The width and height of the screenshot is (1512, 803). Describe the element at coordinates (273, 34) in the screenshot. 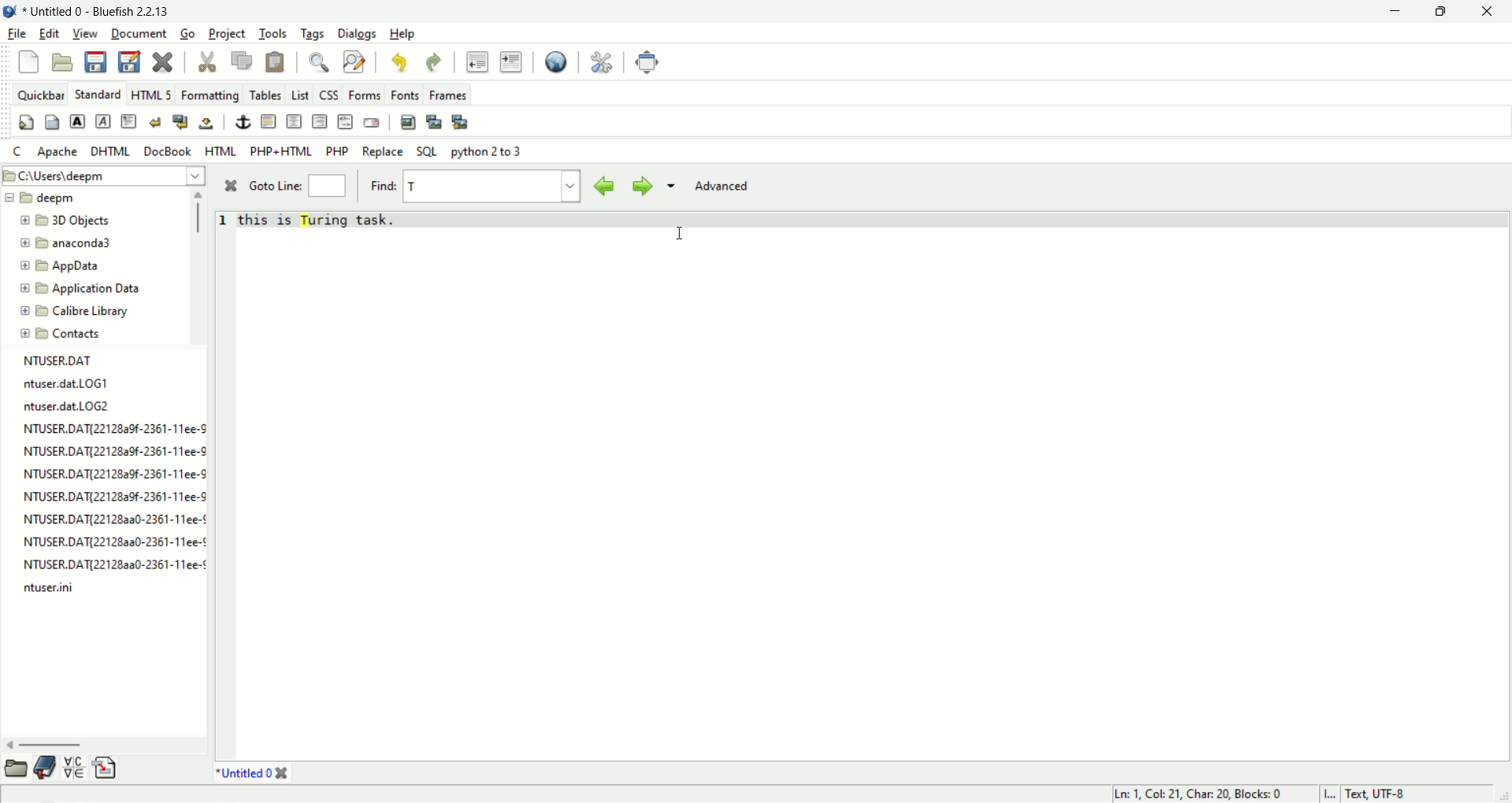

I see `tools` at that location.